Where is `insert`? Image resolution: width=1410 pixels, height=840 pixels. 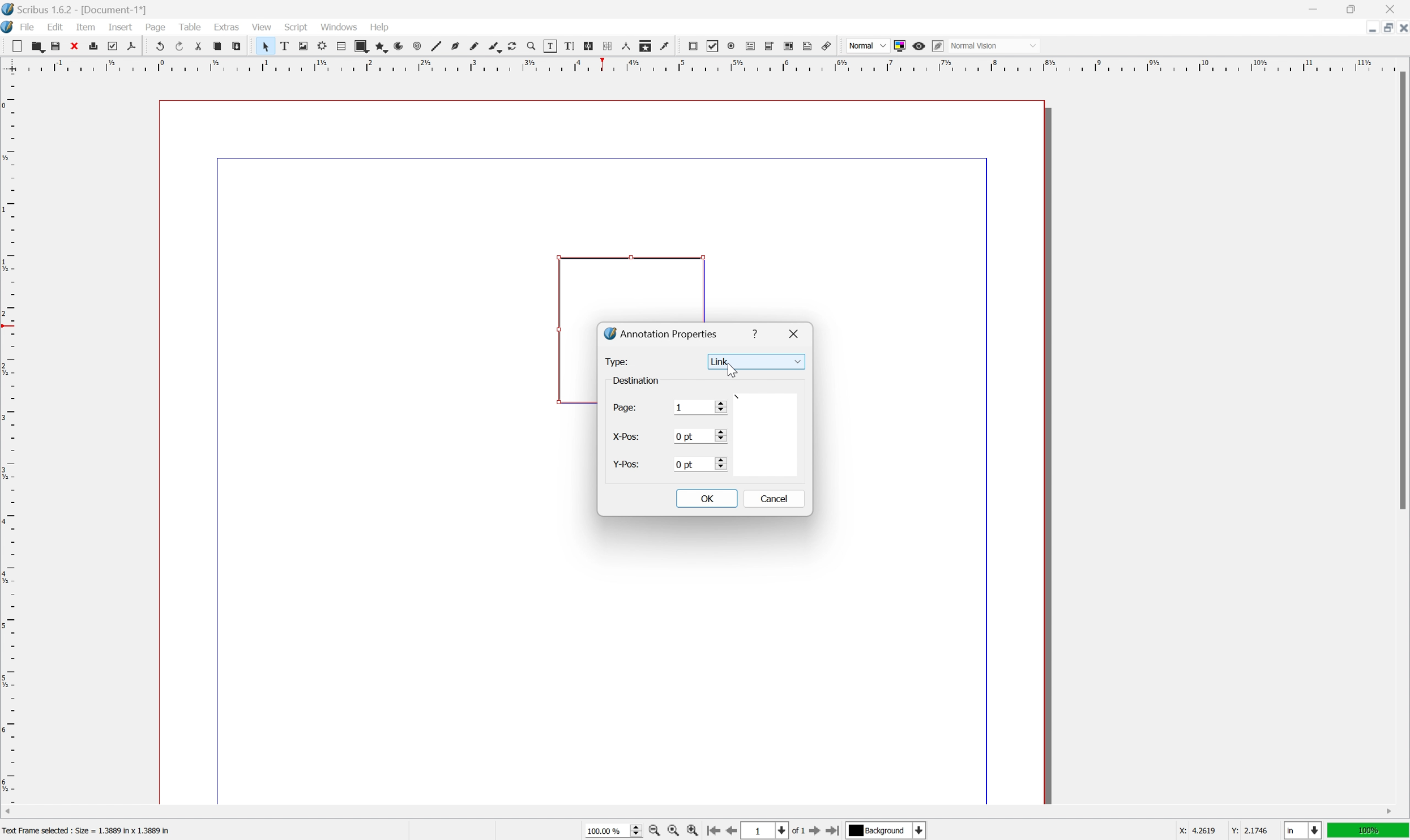
insert is located at coordinates (121, 27).